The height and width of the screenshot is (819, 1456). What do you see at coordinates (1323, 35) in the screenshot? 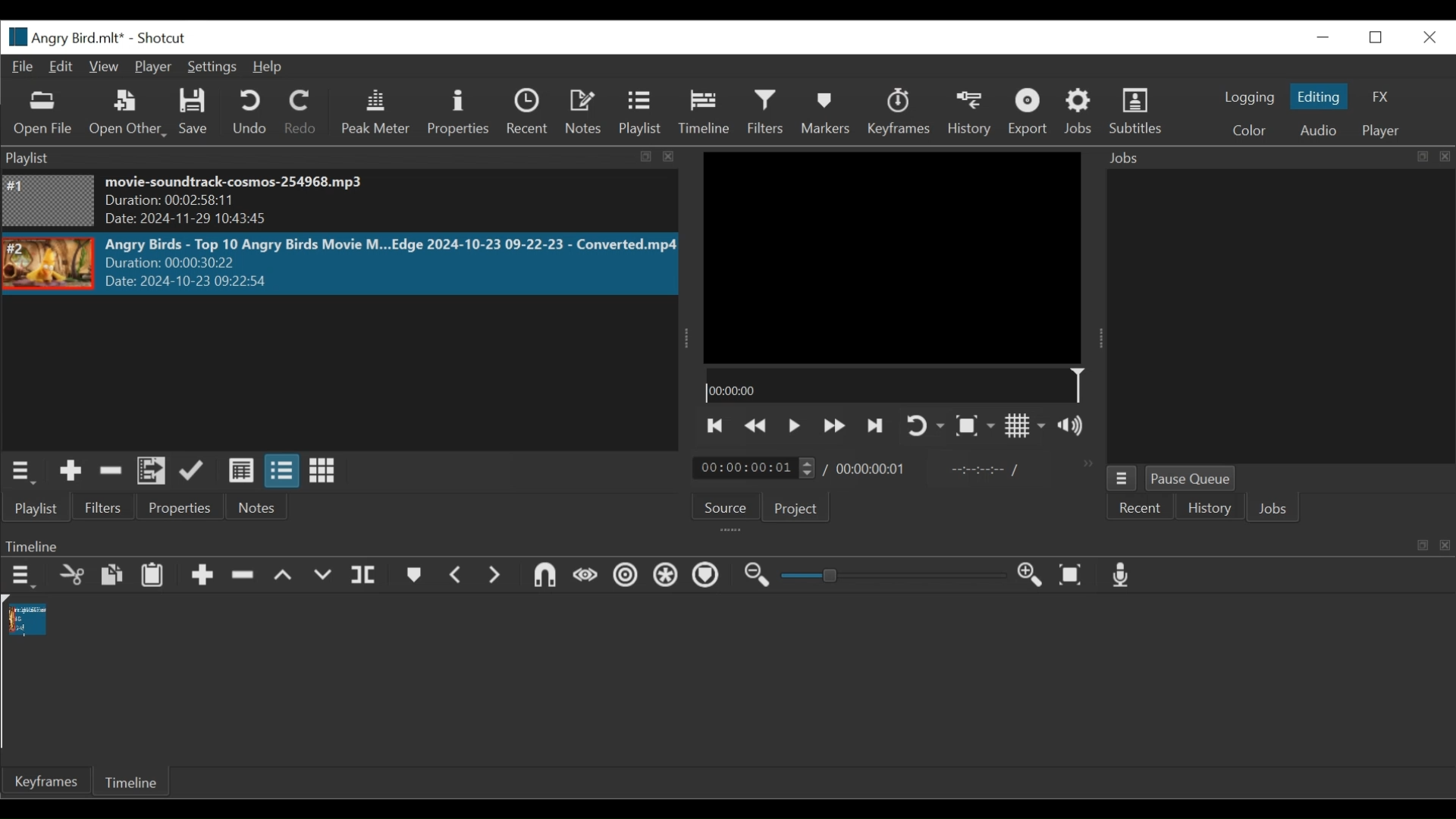
I see `minimize` at bounding box center [1323, 35].